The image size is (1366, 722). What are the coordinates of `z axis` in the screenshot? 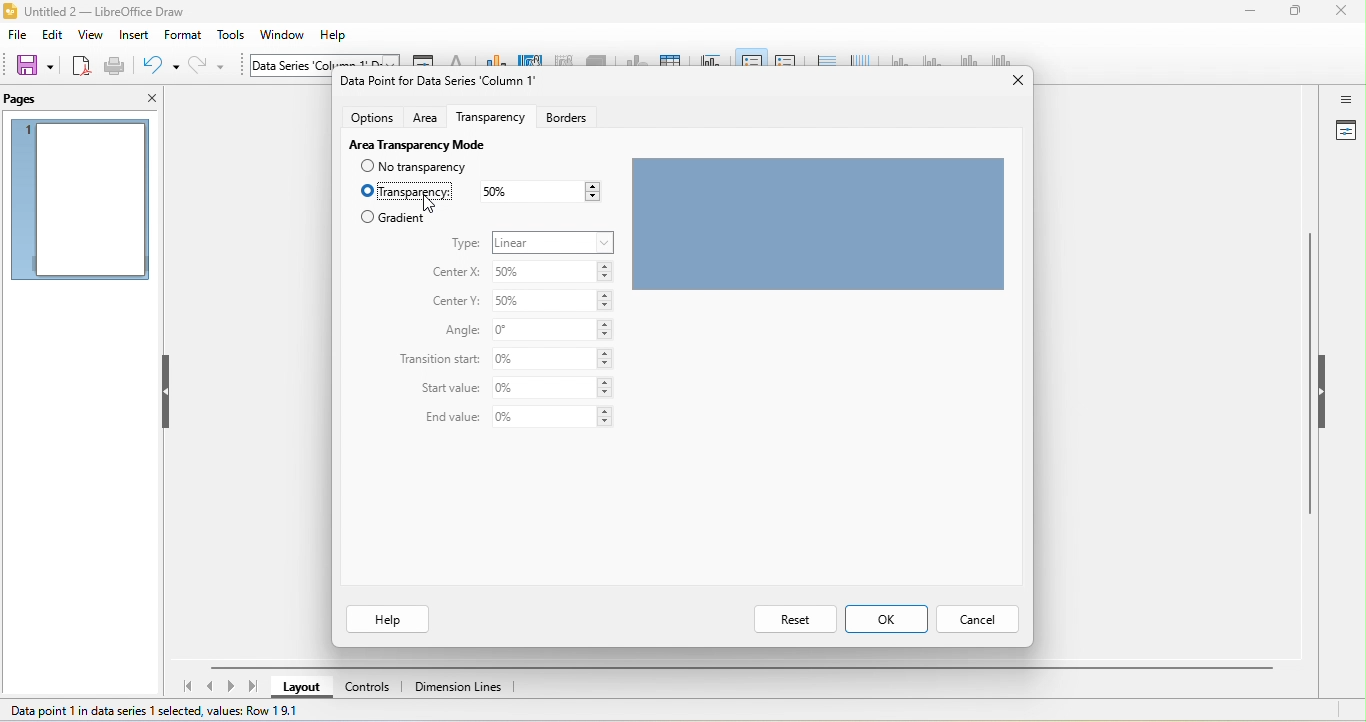 It's located at (964, 59).